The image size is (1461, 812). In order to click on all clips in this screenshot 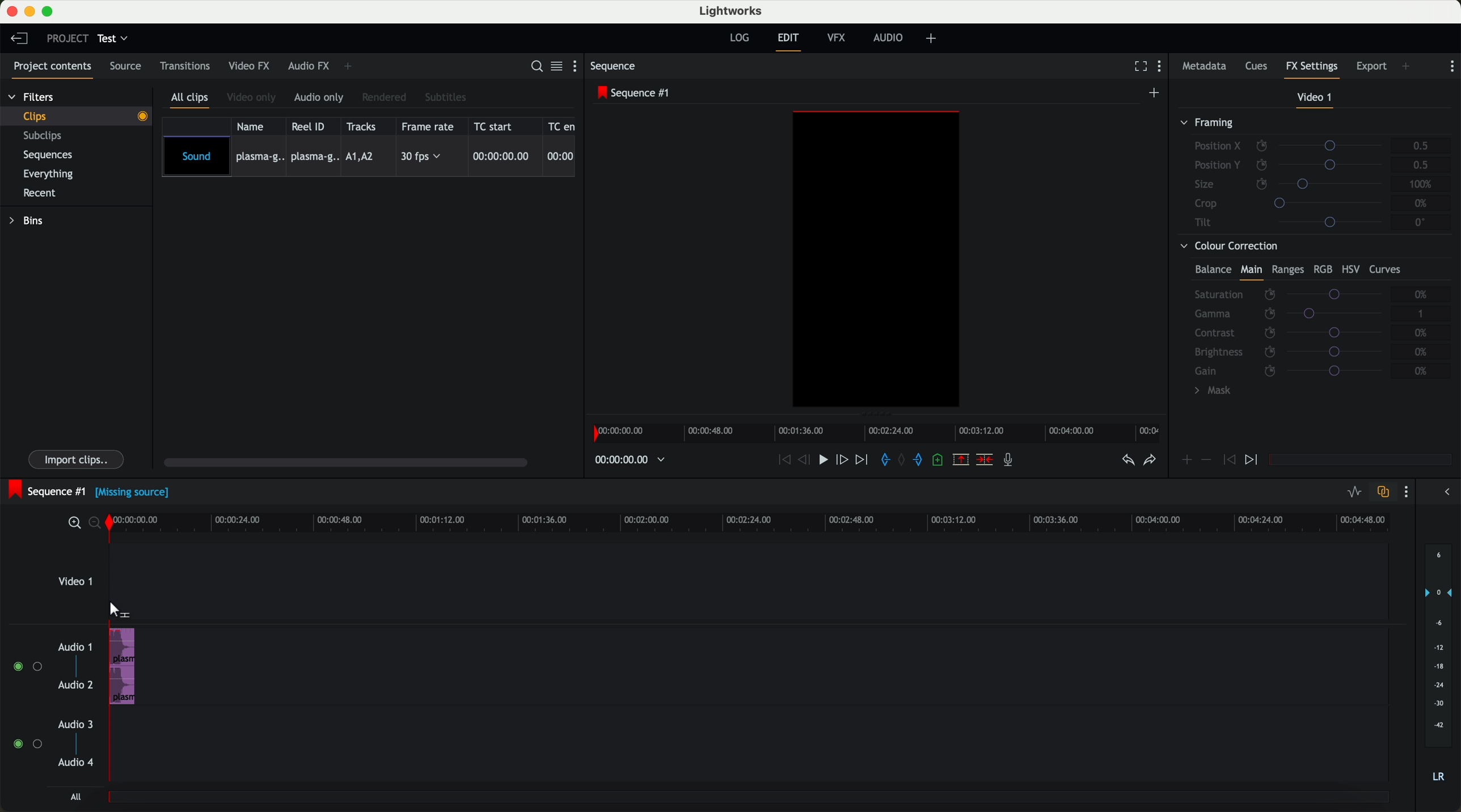, I will do `click(192, 99)`.